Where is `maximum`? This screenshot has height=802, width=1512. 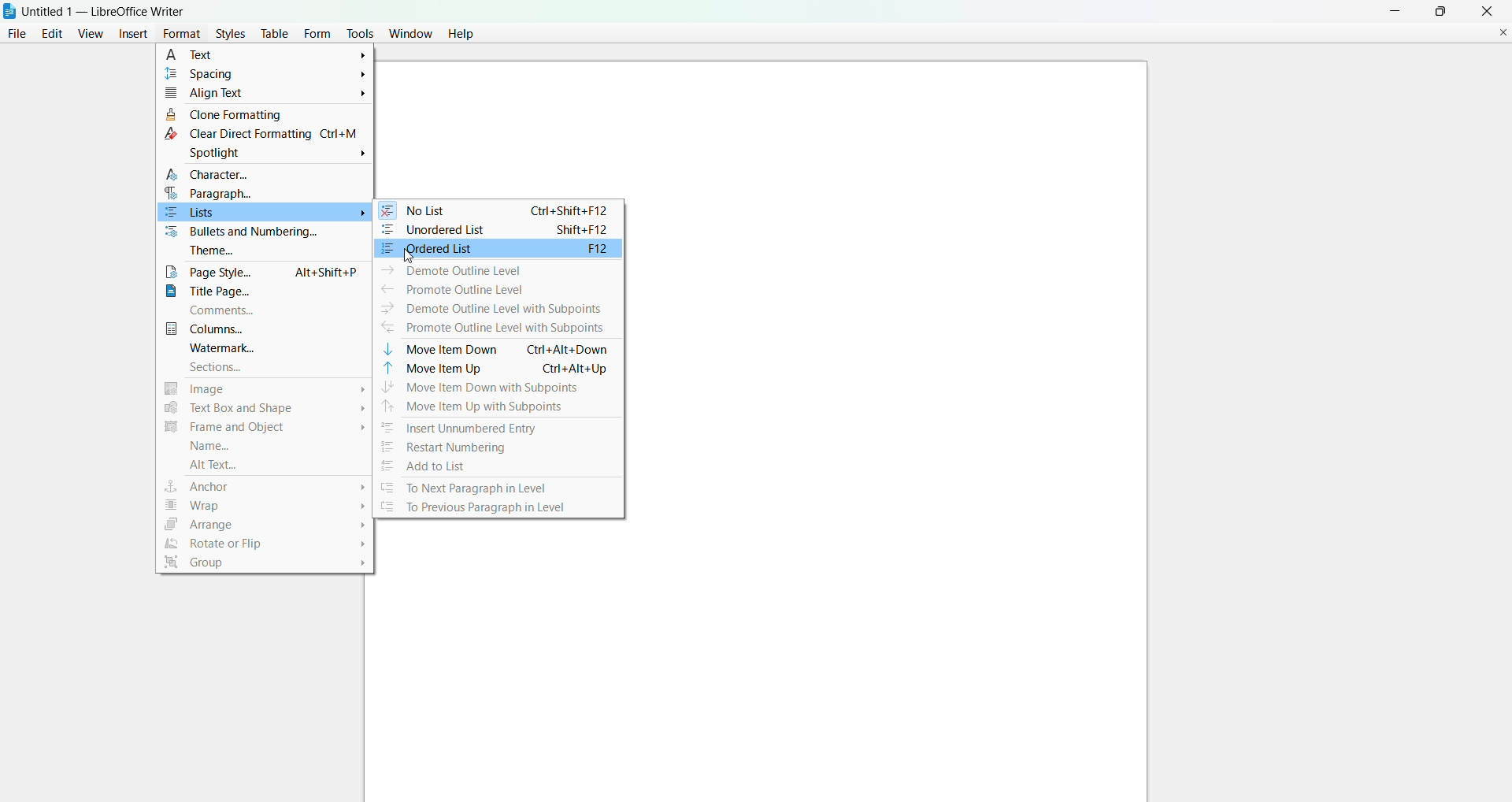 maximum is located at coordinates (1441, 10).